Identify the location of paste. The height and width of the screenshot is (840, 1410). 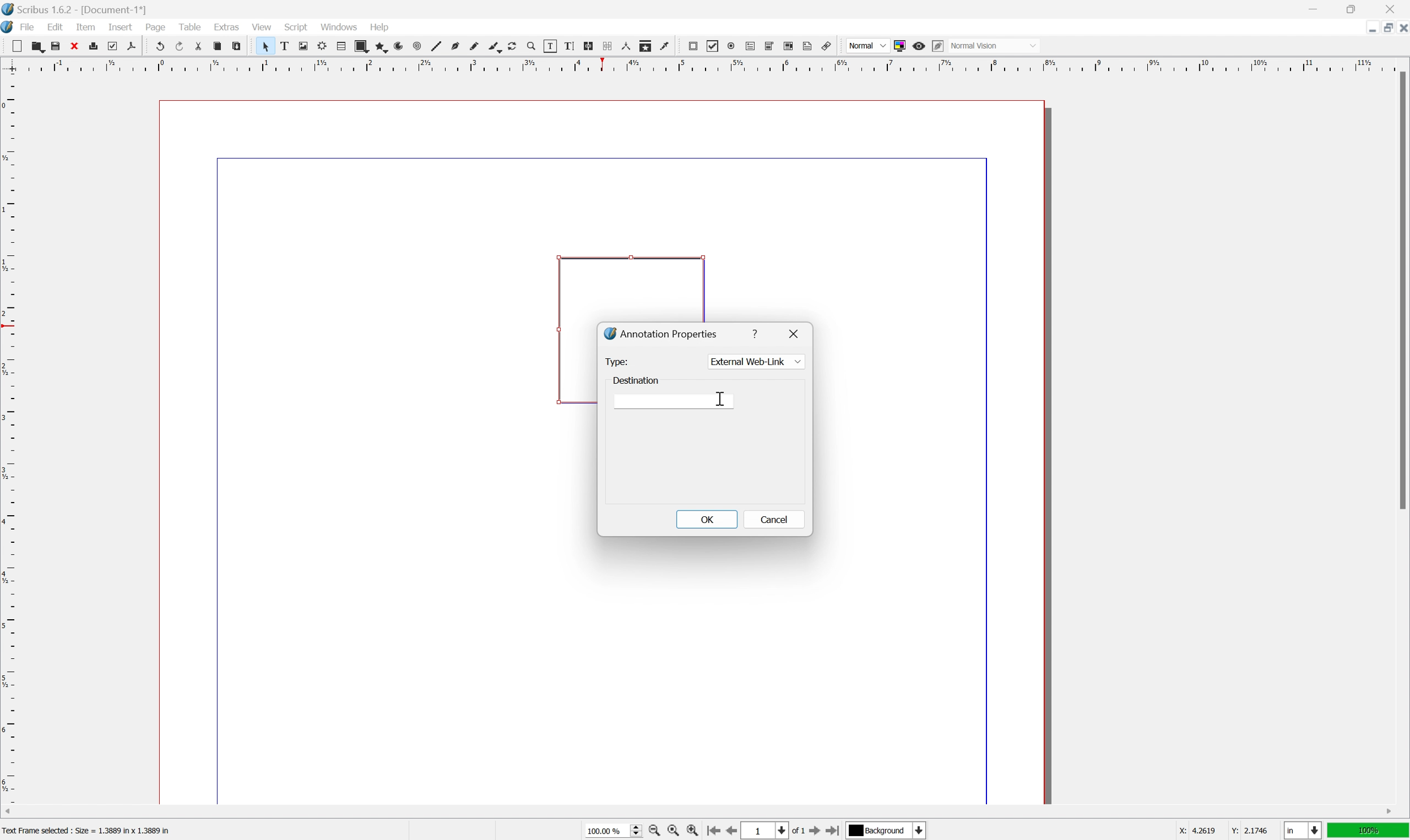
(236, 46).